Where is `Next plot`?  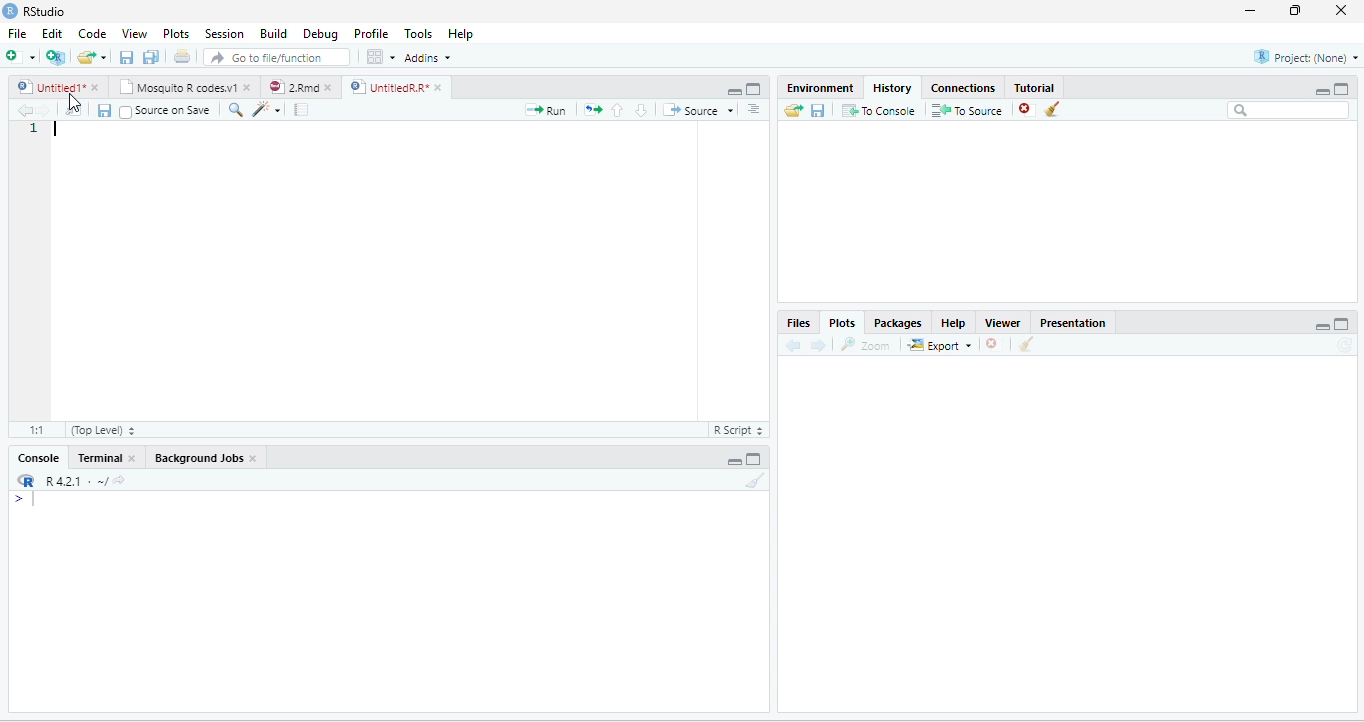 Next plot is located at coordinates (818, 345).